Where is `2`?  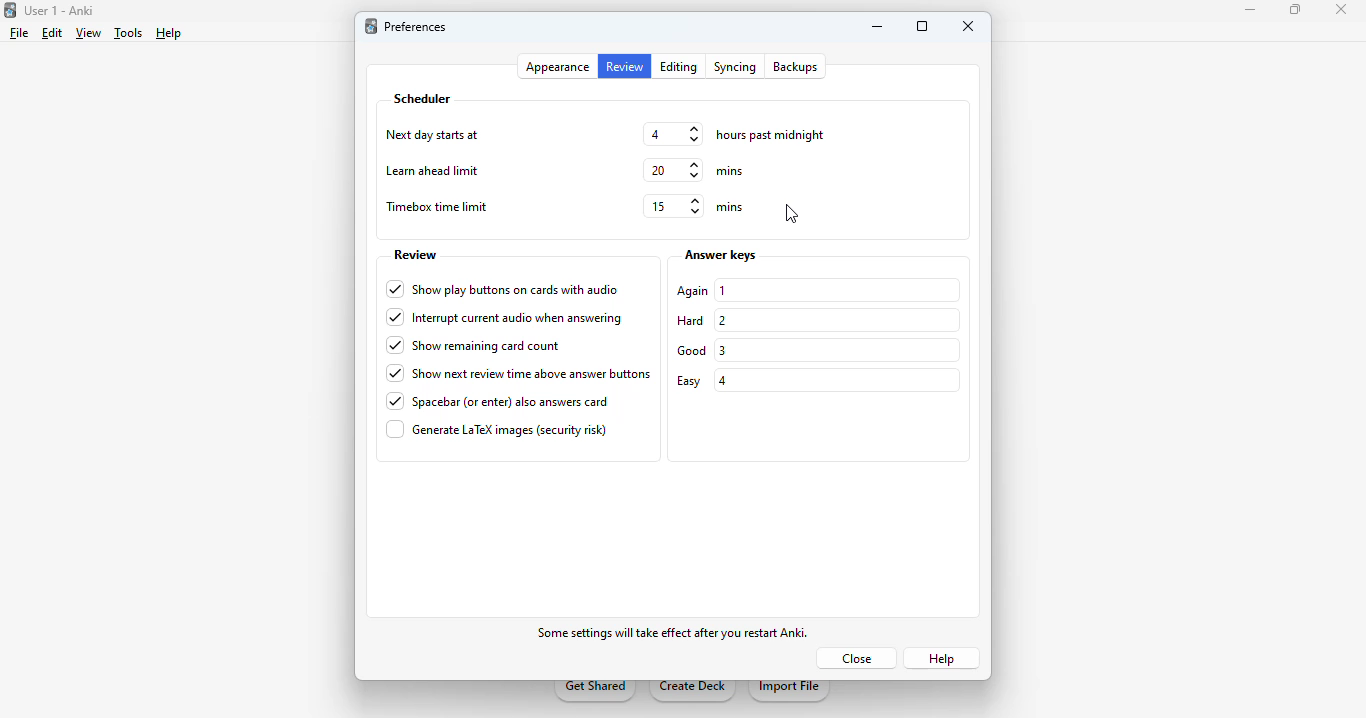
2 is located at coordinates (722, 320).